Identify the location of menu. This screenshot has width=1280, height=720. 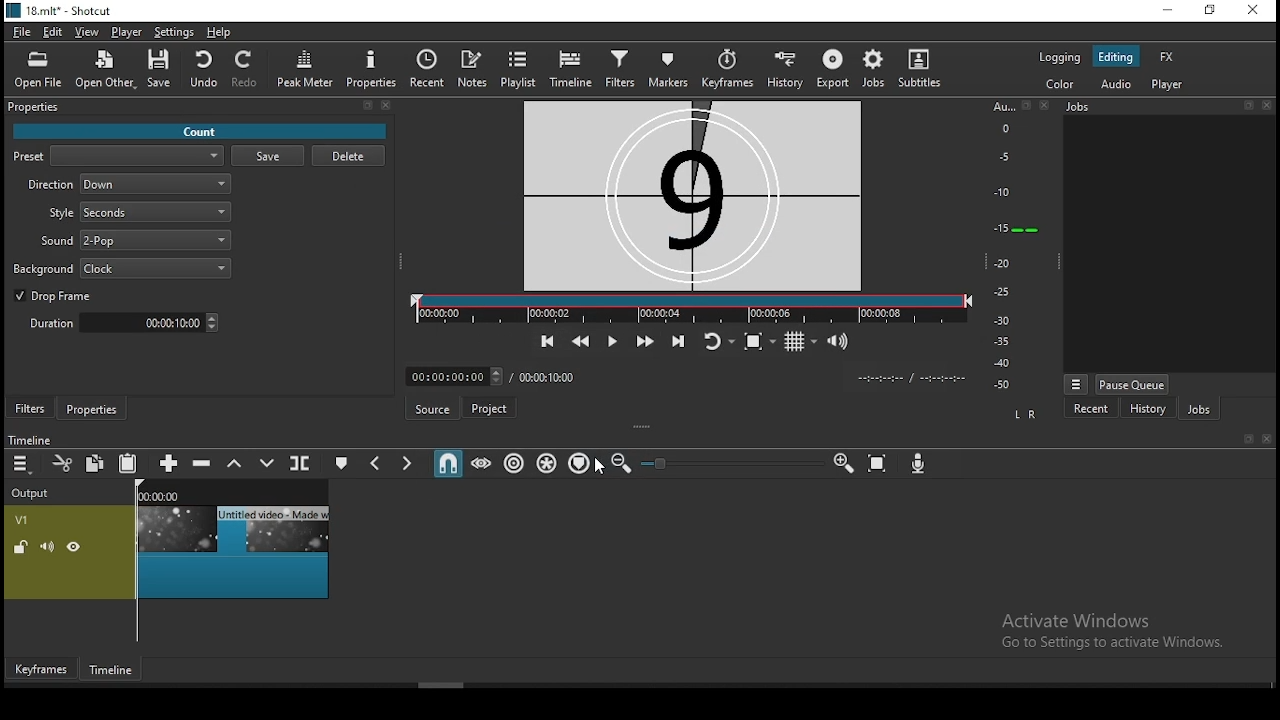
(23, 464).